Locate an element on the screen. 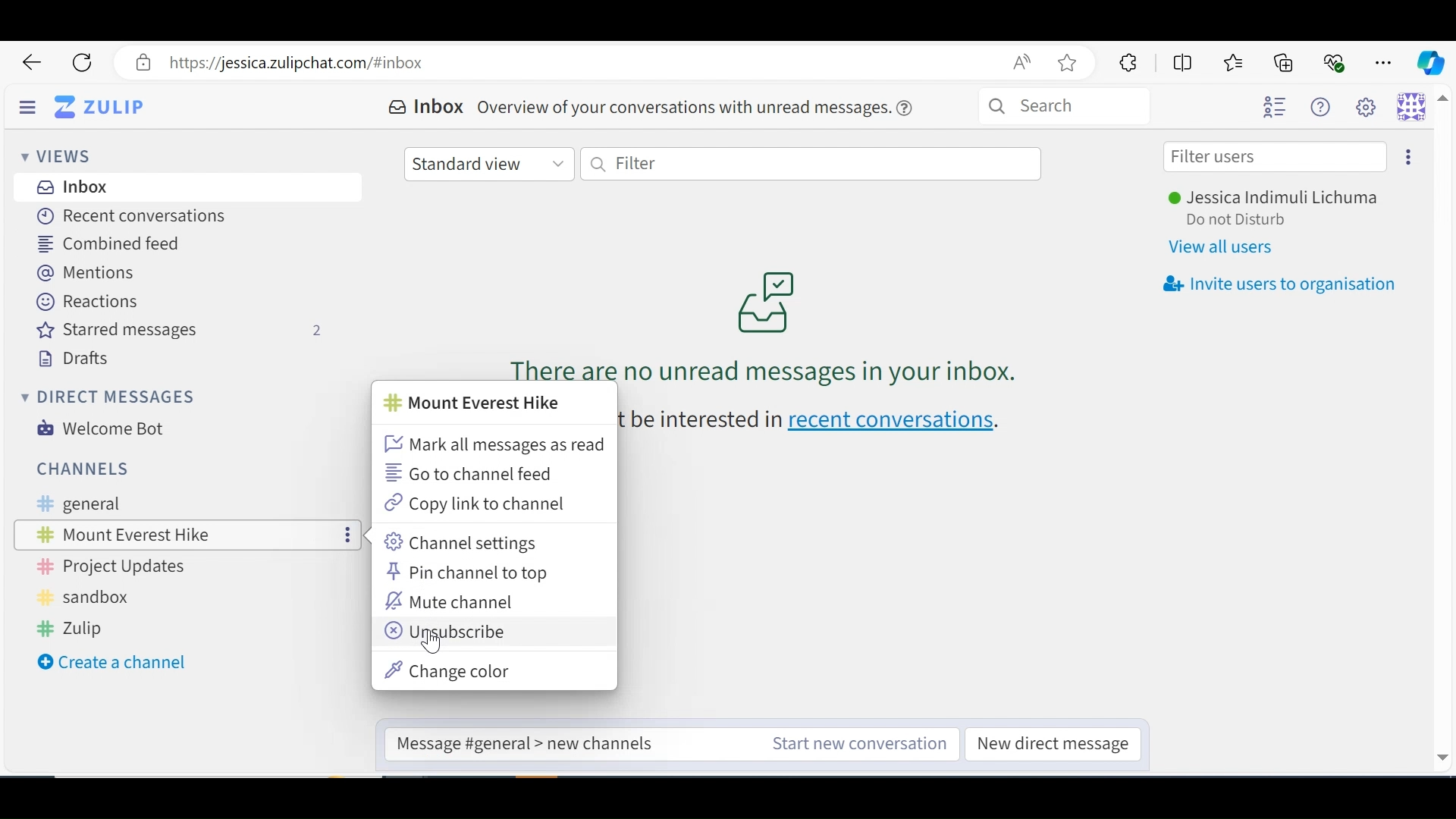 This screenshot has width=1456, height=819. Mentions is located at coordinates (88, 272).